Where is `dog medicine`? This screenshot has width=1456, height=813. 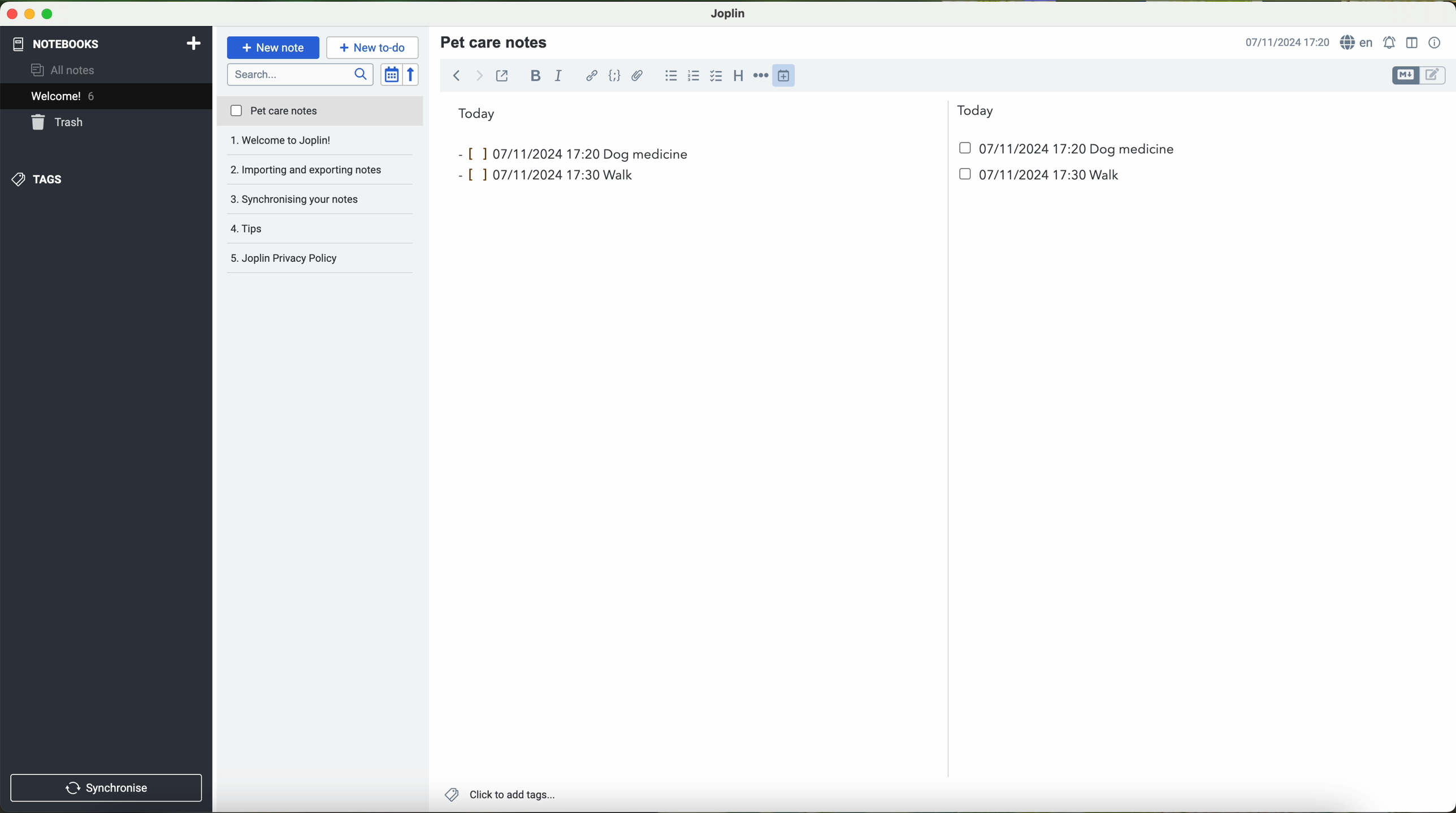
dog medicine is located at coordinates (647, 154).